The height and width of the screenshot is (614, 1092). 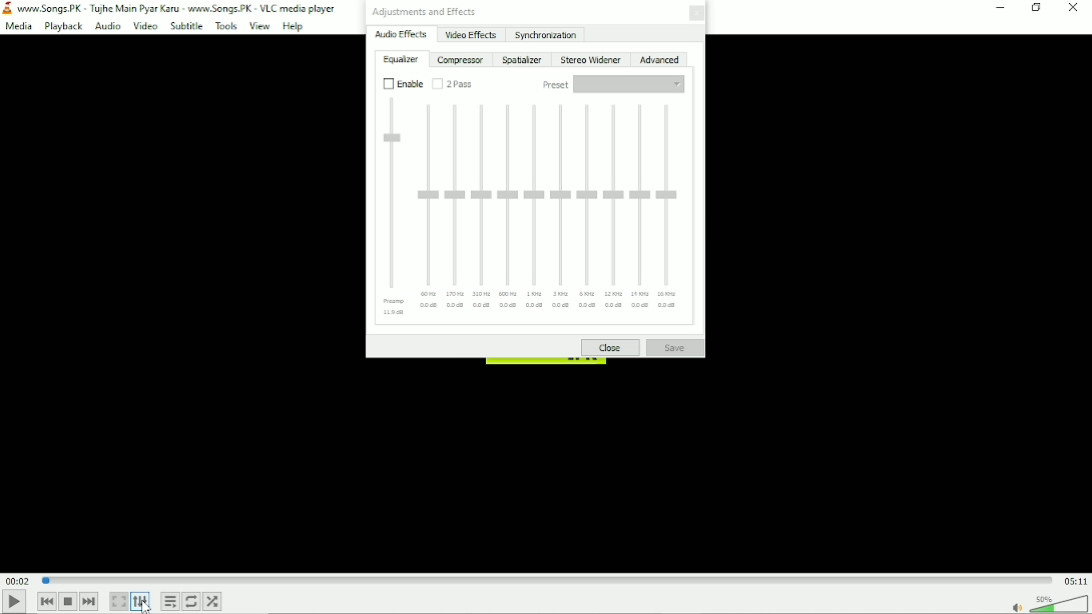 What do you see at coordinates (1037, 9) in the screenshot?
I see `Restore down` at bounding box center [1037, 9].